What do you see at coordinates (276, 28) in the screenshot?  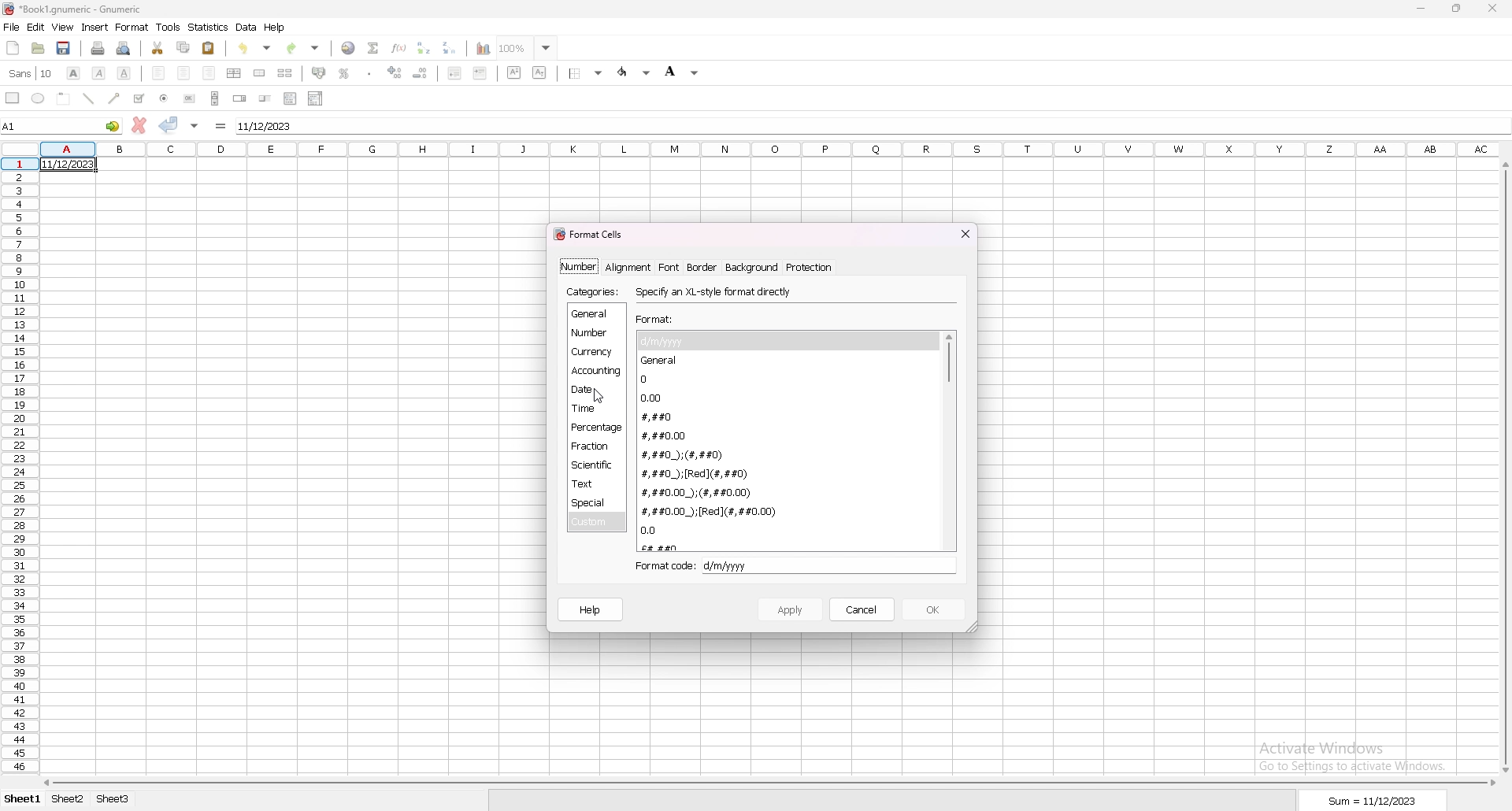 I see `help` at bounding box center [276, 28].